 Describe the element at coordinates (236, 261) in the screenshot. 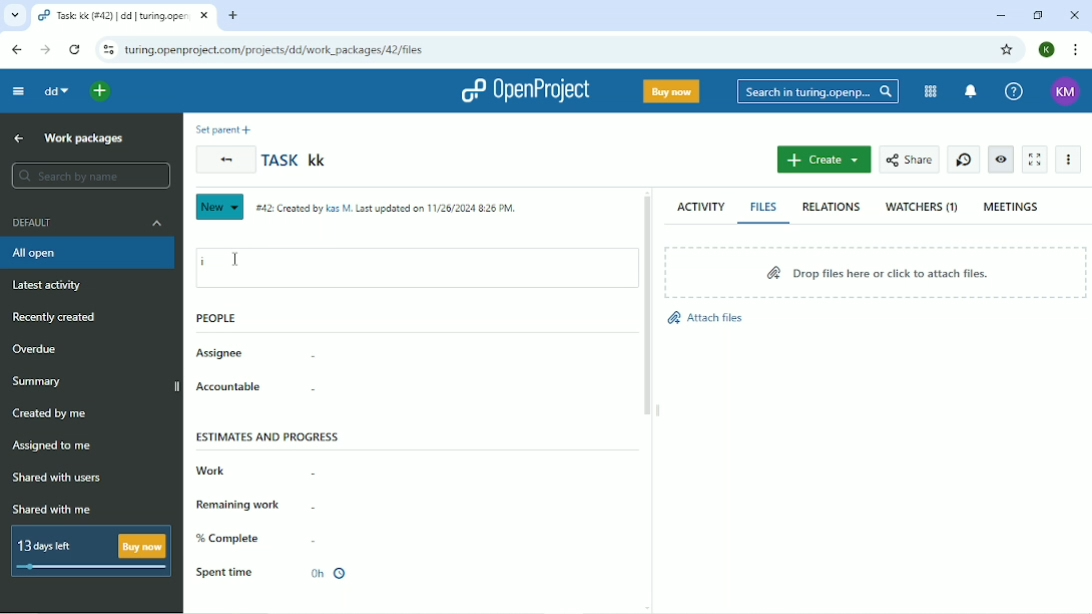

I see `Cursor` at that location.